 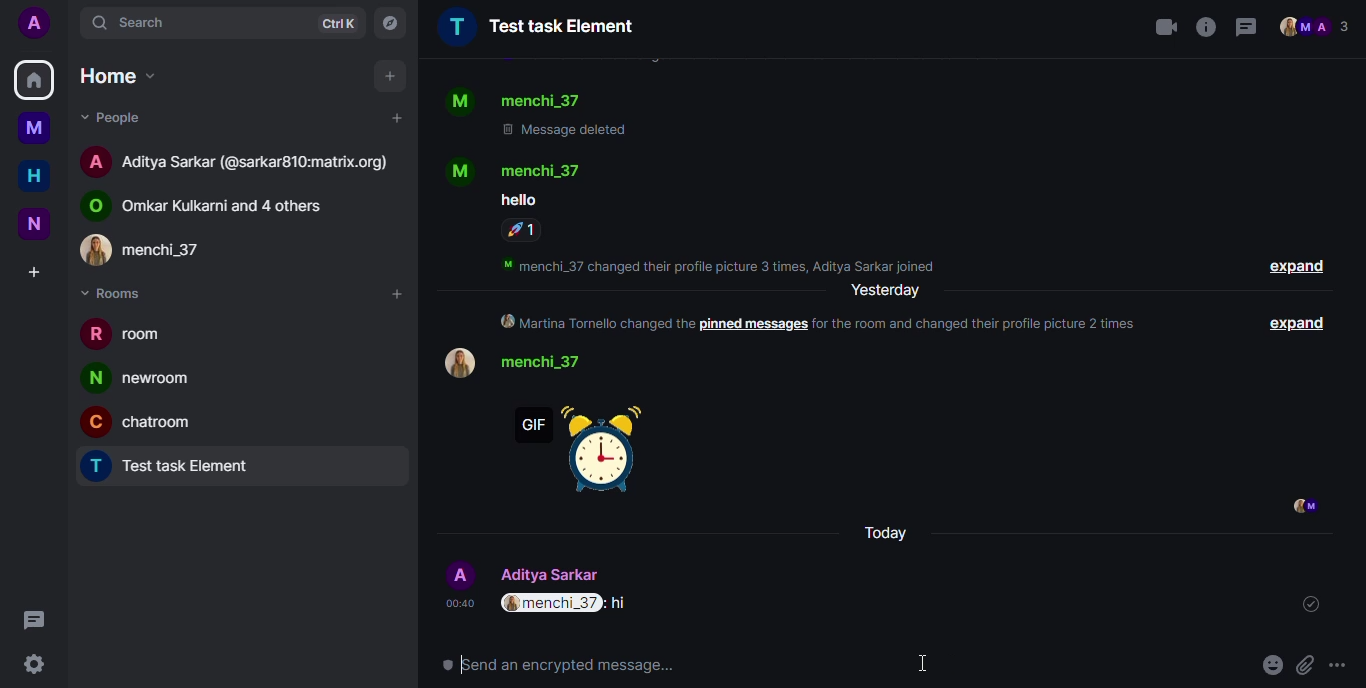 I want to click on add, so click(x=395, y=295).